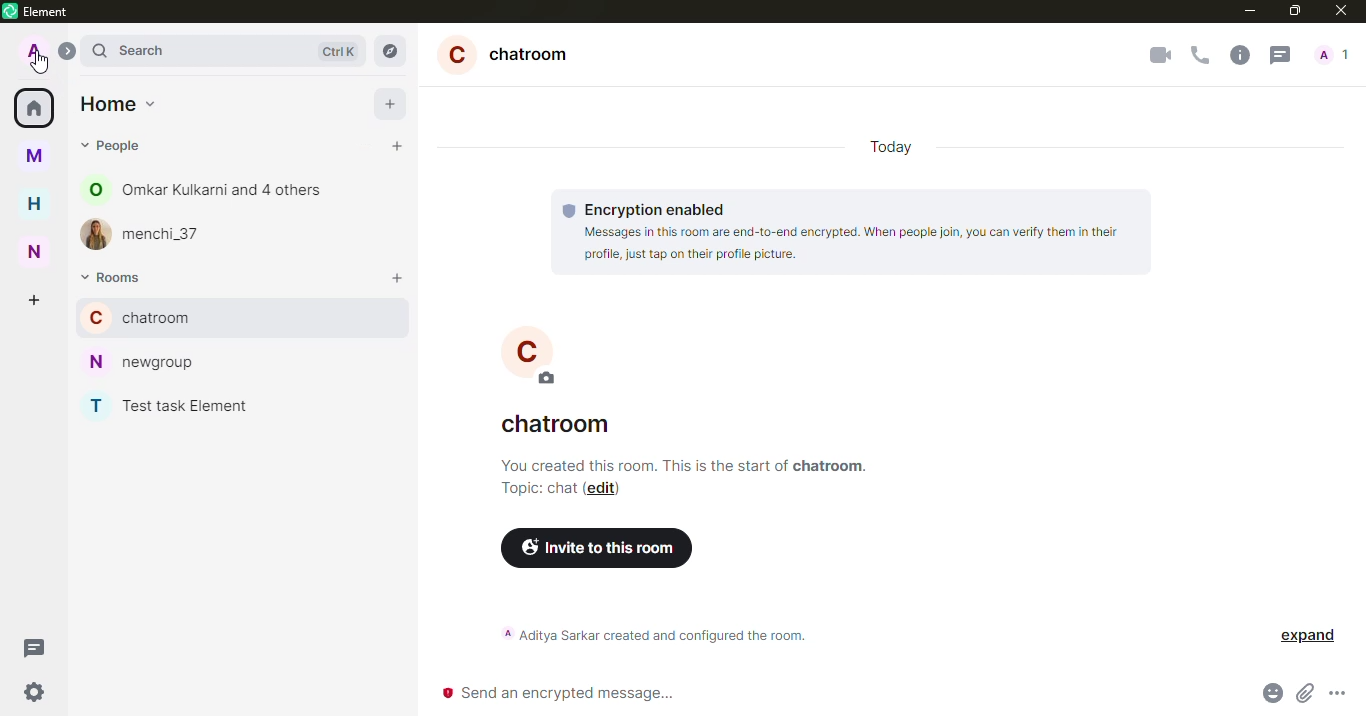 This screenshot has width=1366, height=716. I want to click on element logo, so click(9, 12).